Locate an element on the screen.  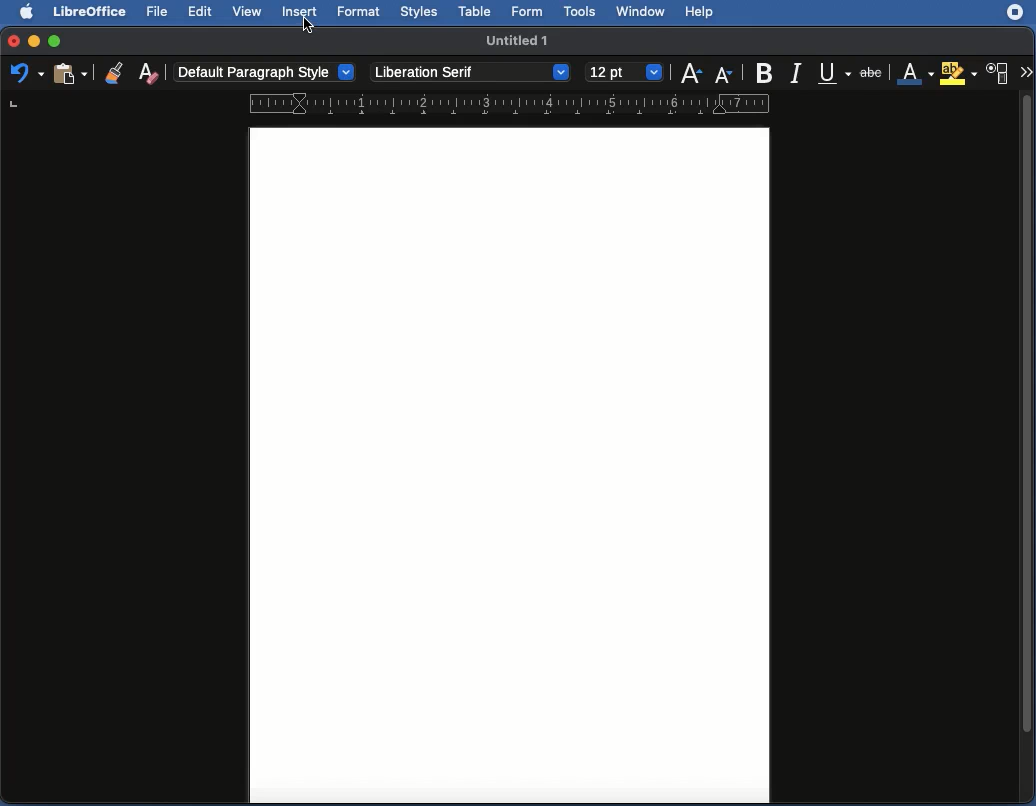
Edit is located at coordinates (199, 11).